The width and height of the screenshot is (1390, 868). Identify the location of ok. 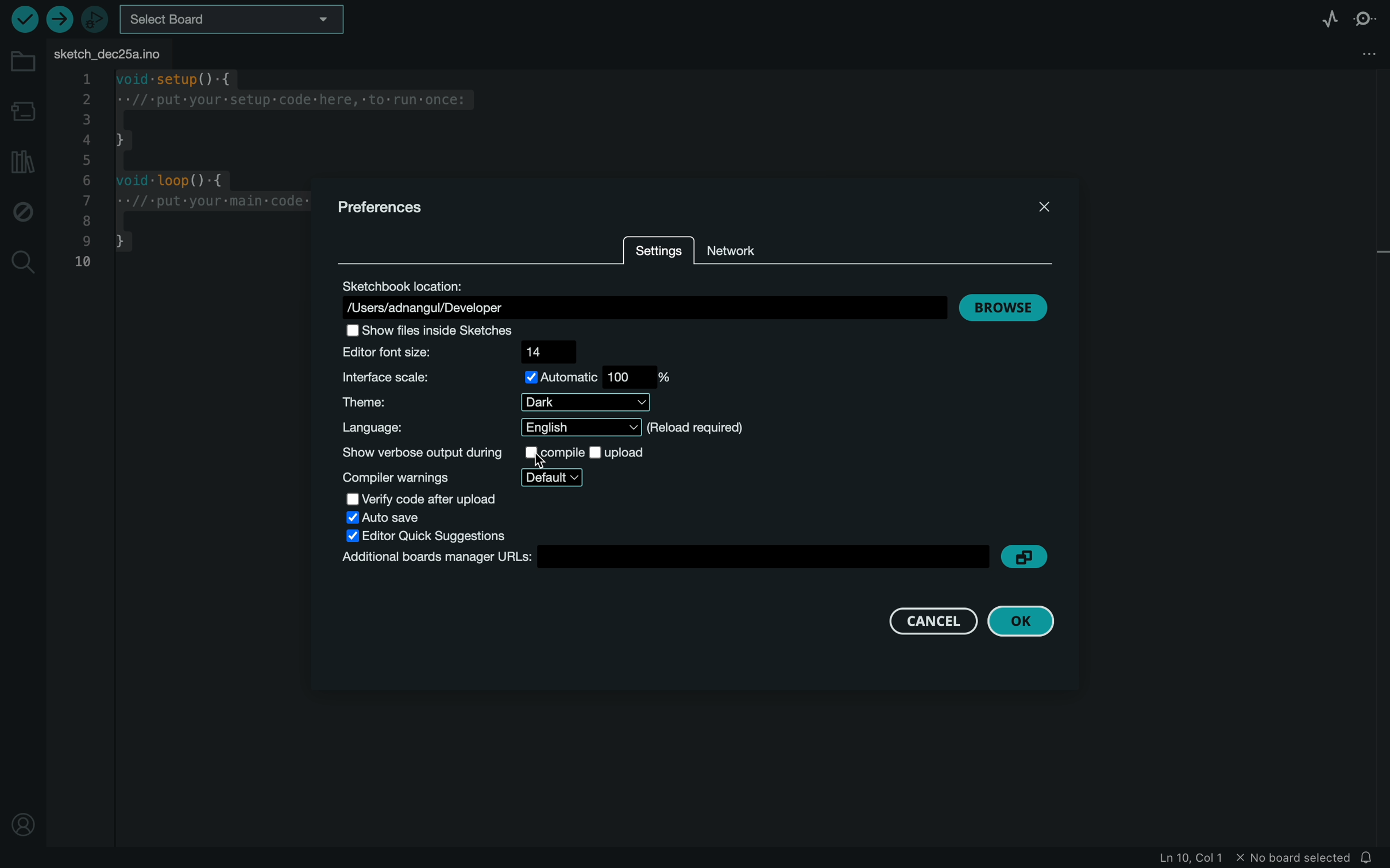
(1025, 620).